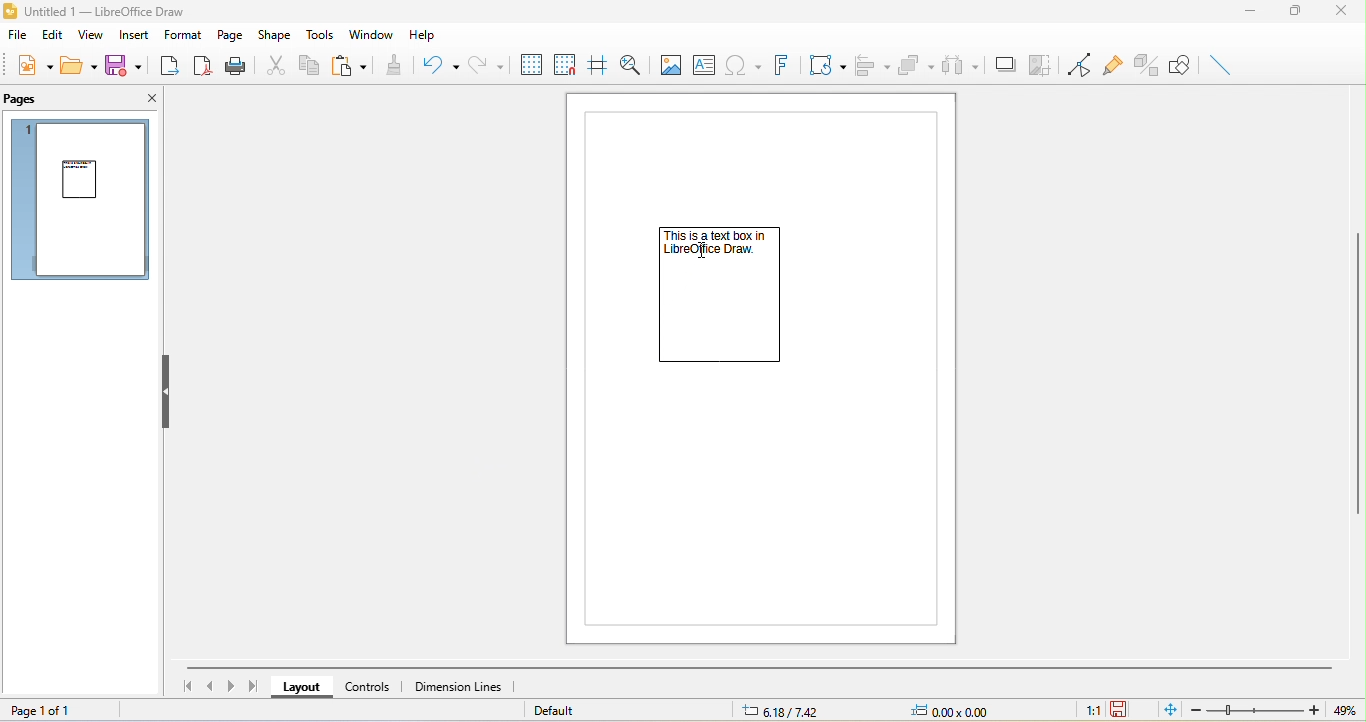  Describe the element at coordinates (463, 687) in the screenshot. I see `dimension lines` at that location.